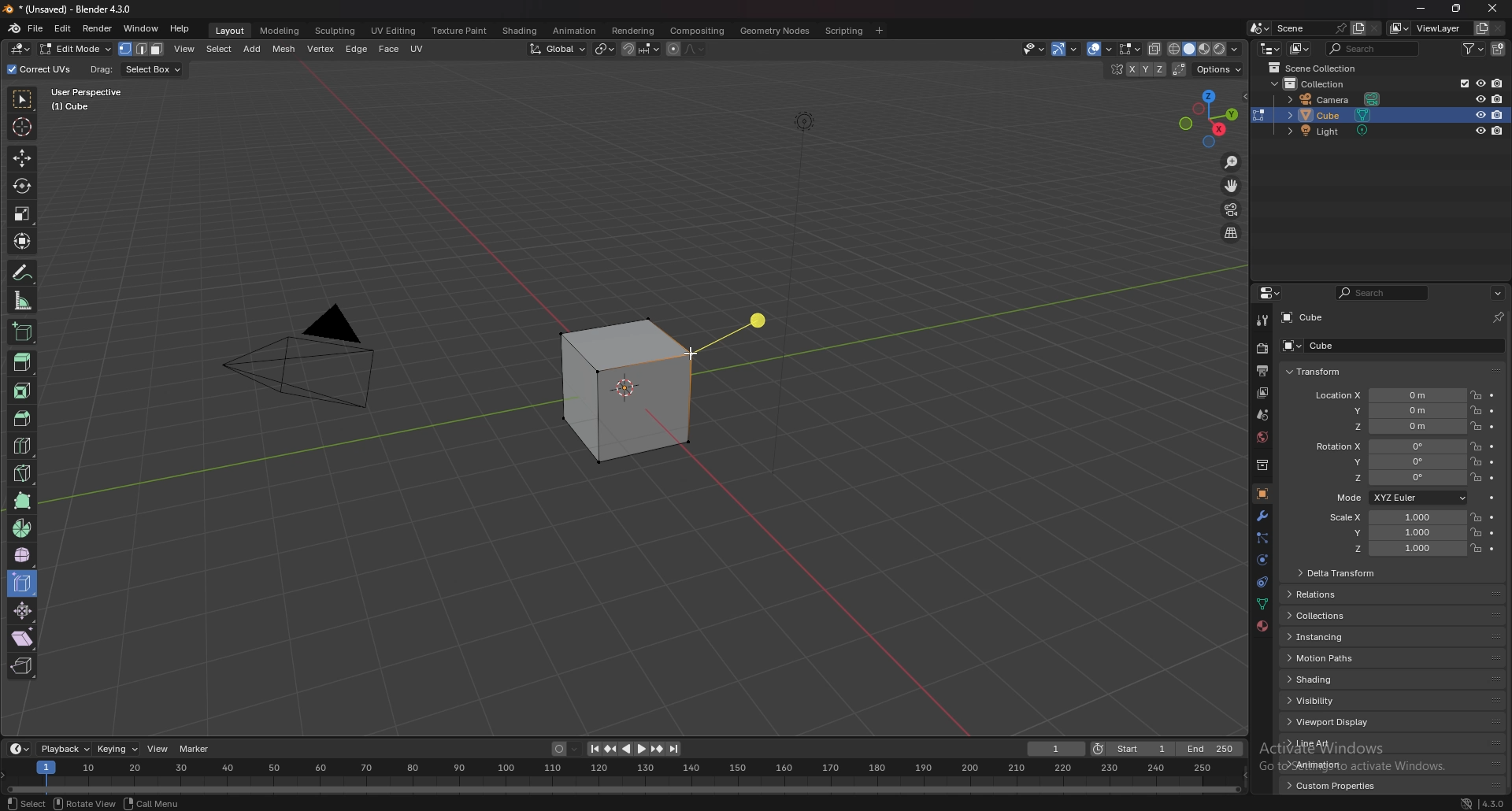 The image size is (1512, 811). Describe the element at coordinates (1457, 9) in the screenshot. I see `resize` at that location.